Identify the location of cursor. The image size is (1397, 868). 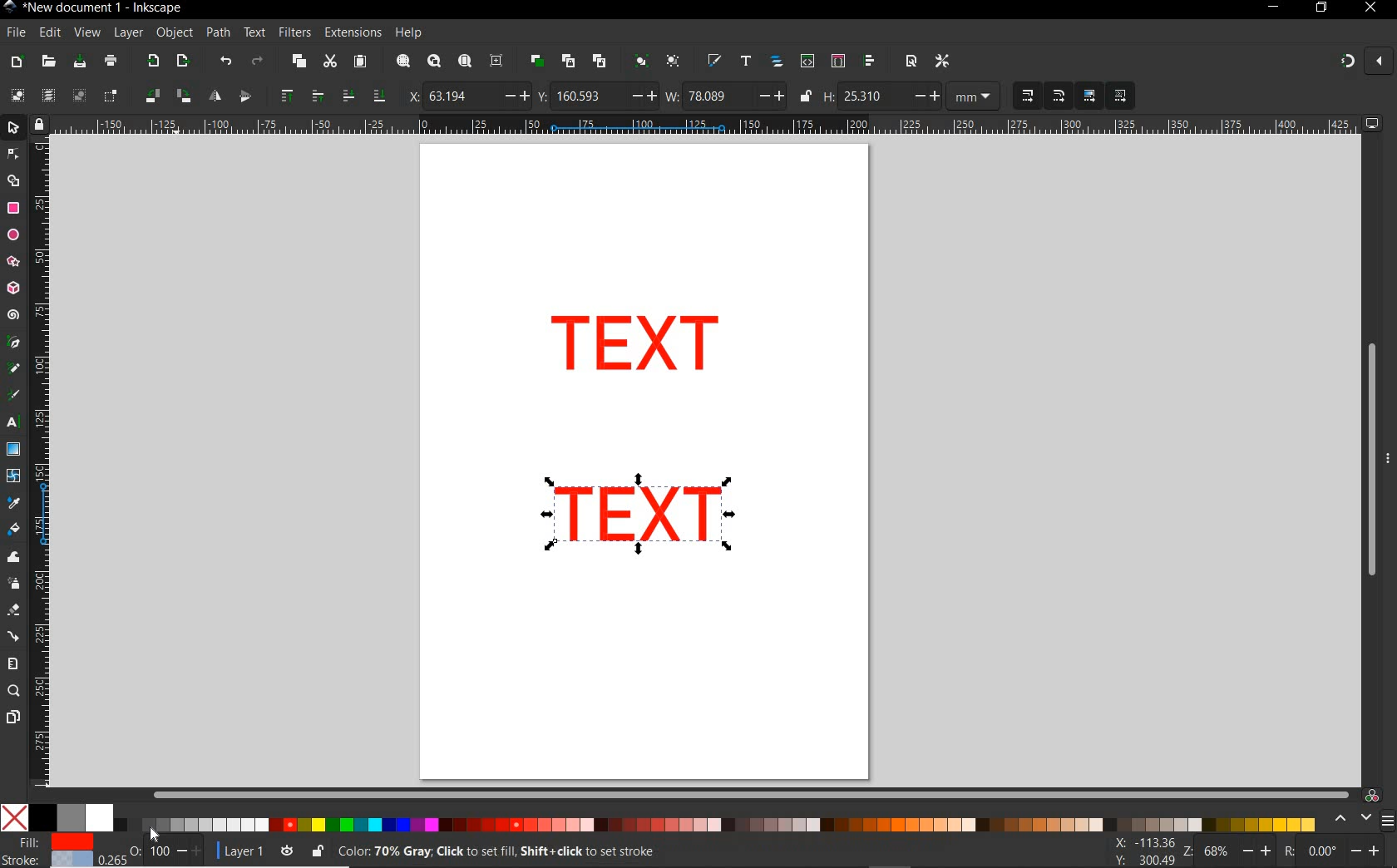
(155, 833).